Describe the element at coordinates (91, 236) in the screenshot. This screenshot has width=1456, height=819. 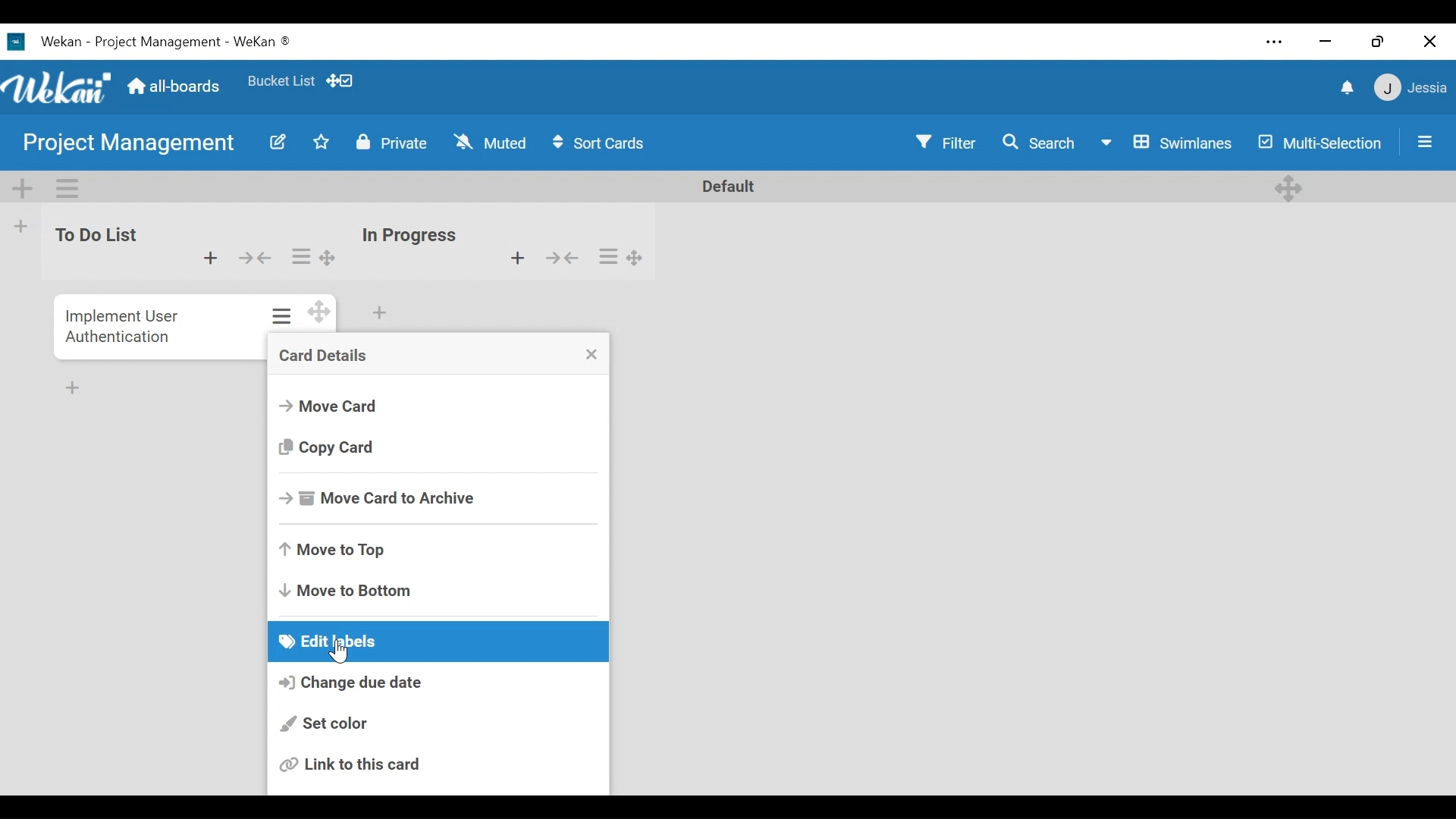
I see `To Do List` at that location.